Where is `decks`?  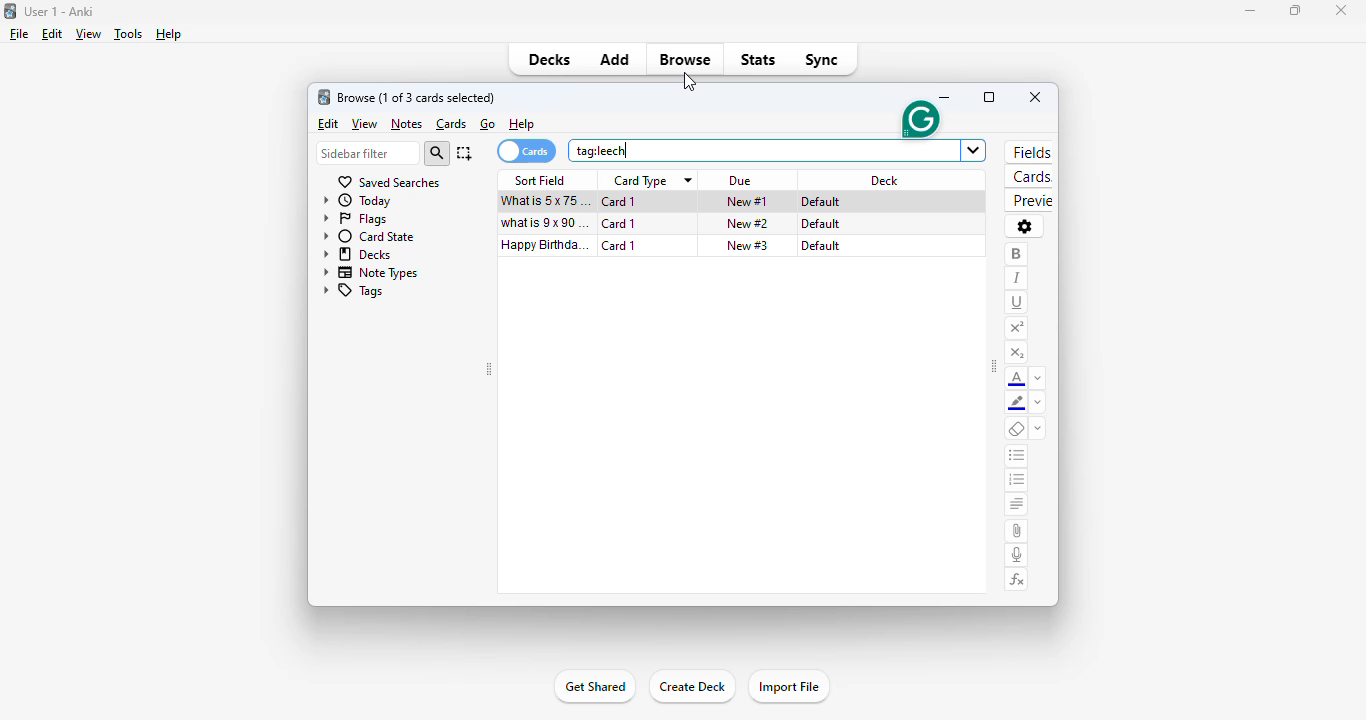 decks is located at coordinates (357, 254).